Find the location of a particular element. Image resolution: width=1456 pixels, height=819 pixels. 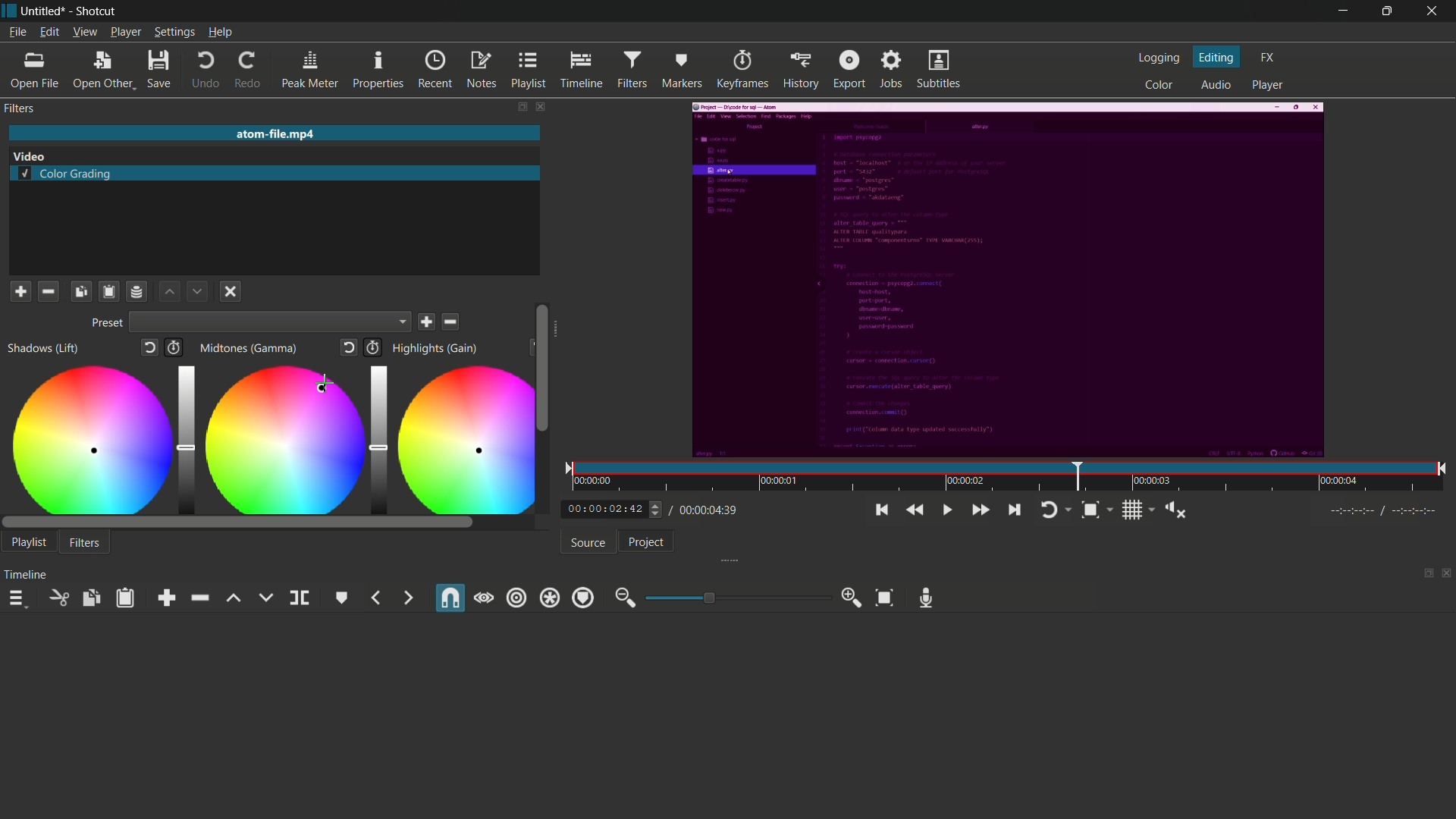

total time is located at coordinates (704, 510).